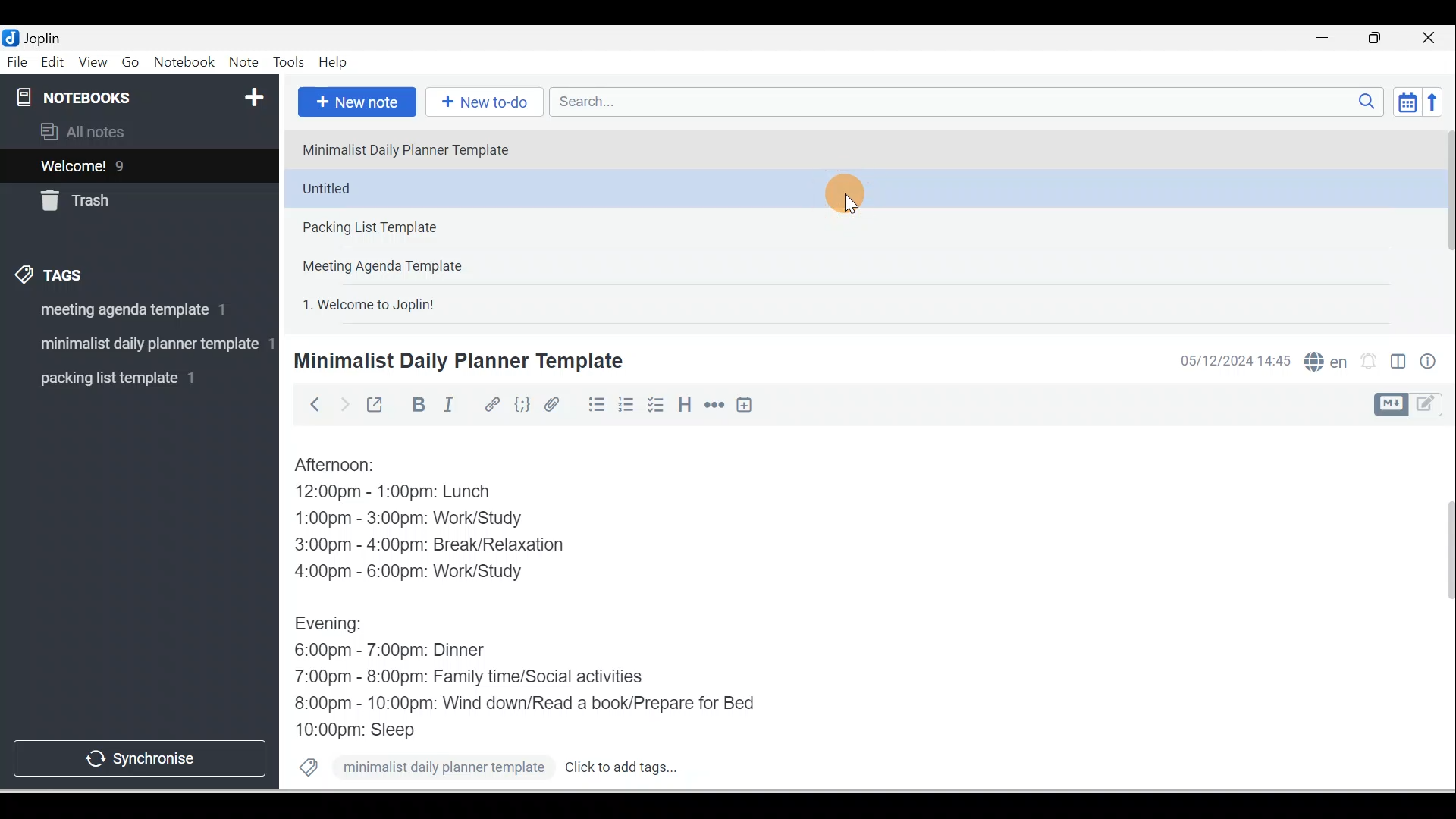 Image resolution: width=1456 pixels, height=819 pixels. What do you see at coordinates (410, 493) in the screenshot?
I see `12:00pm - 1:00pm: Lunch` at bounding box center [410, 493].